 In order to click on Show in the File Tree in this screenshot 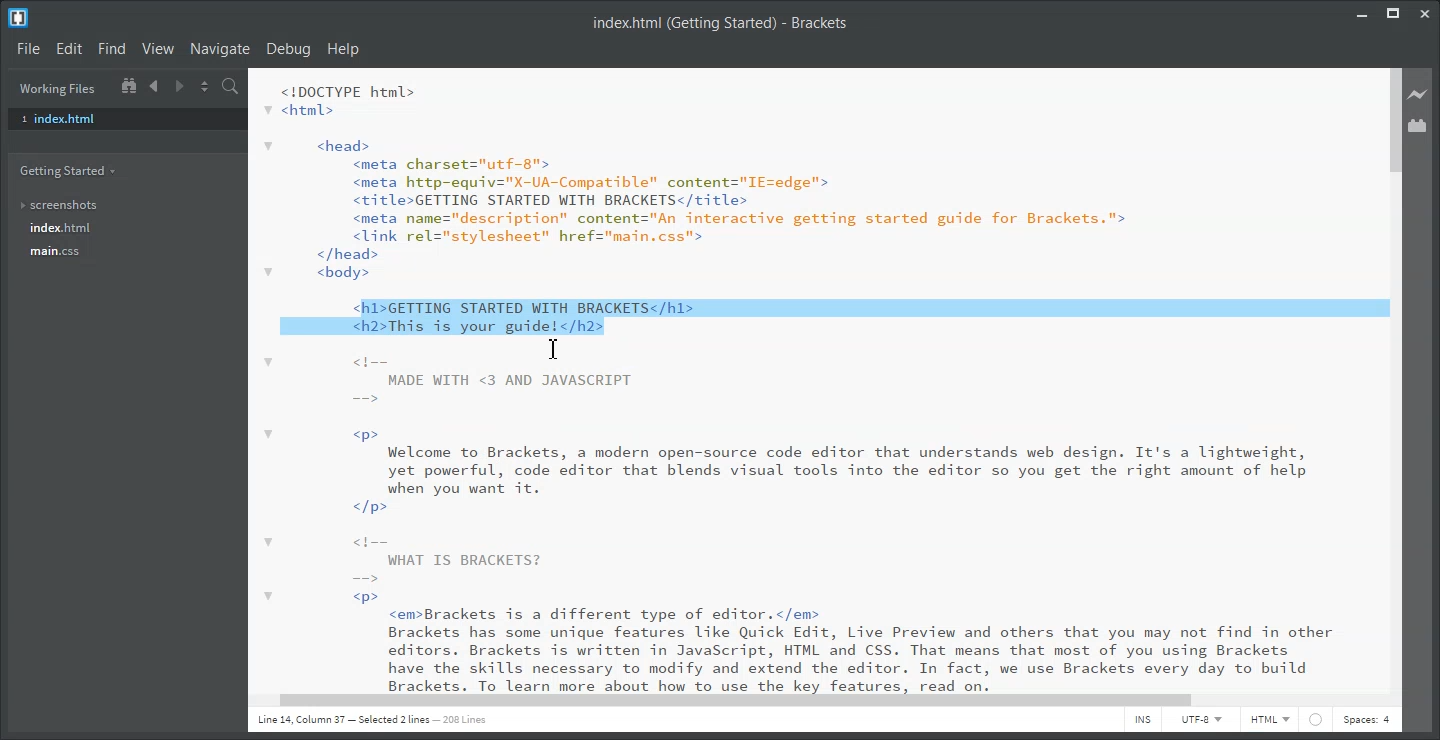, I will do `click(129, 86)`.